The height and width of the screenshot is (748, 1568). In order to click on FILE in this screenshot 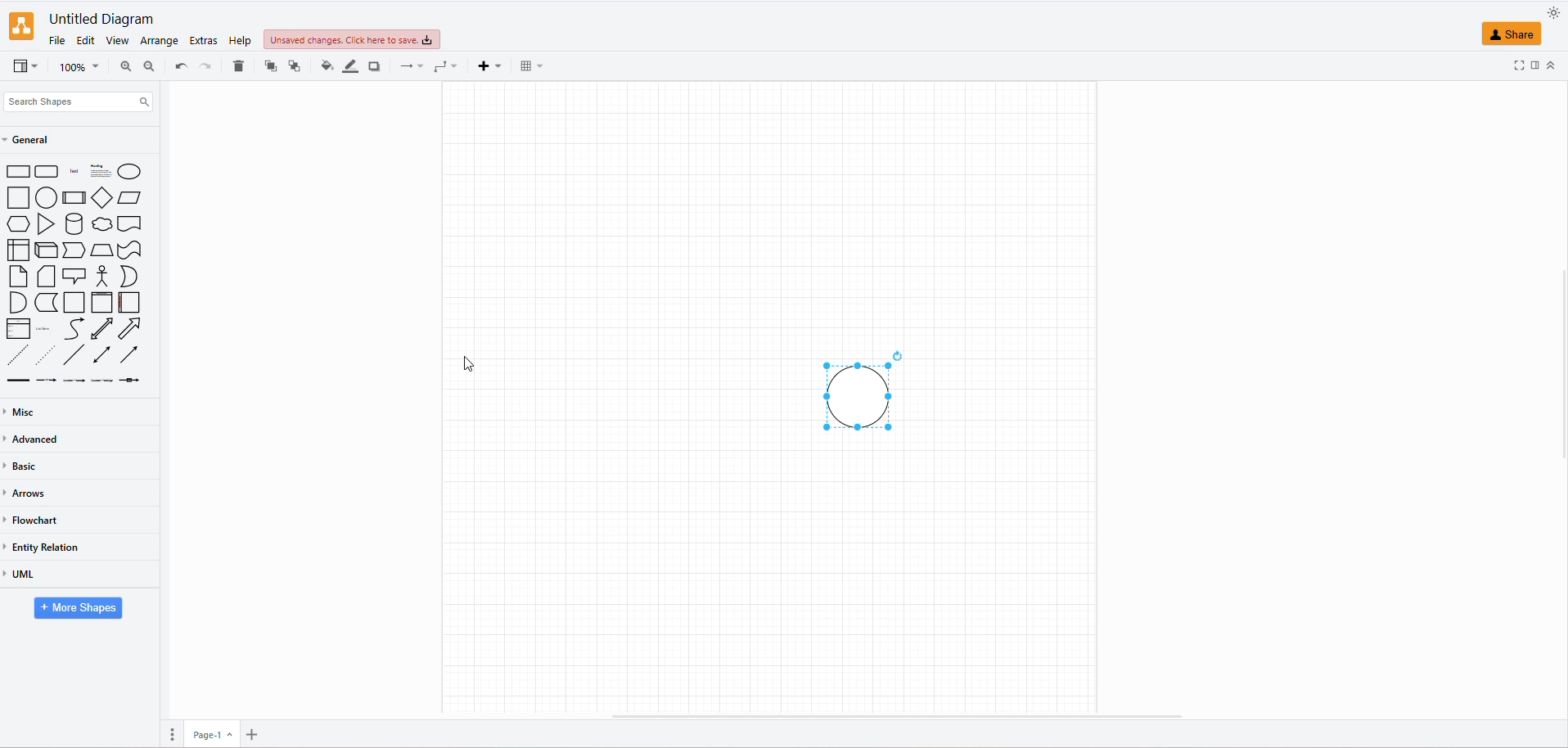, I will do `click(54, 40)`.